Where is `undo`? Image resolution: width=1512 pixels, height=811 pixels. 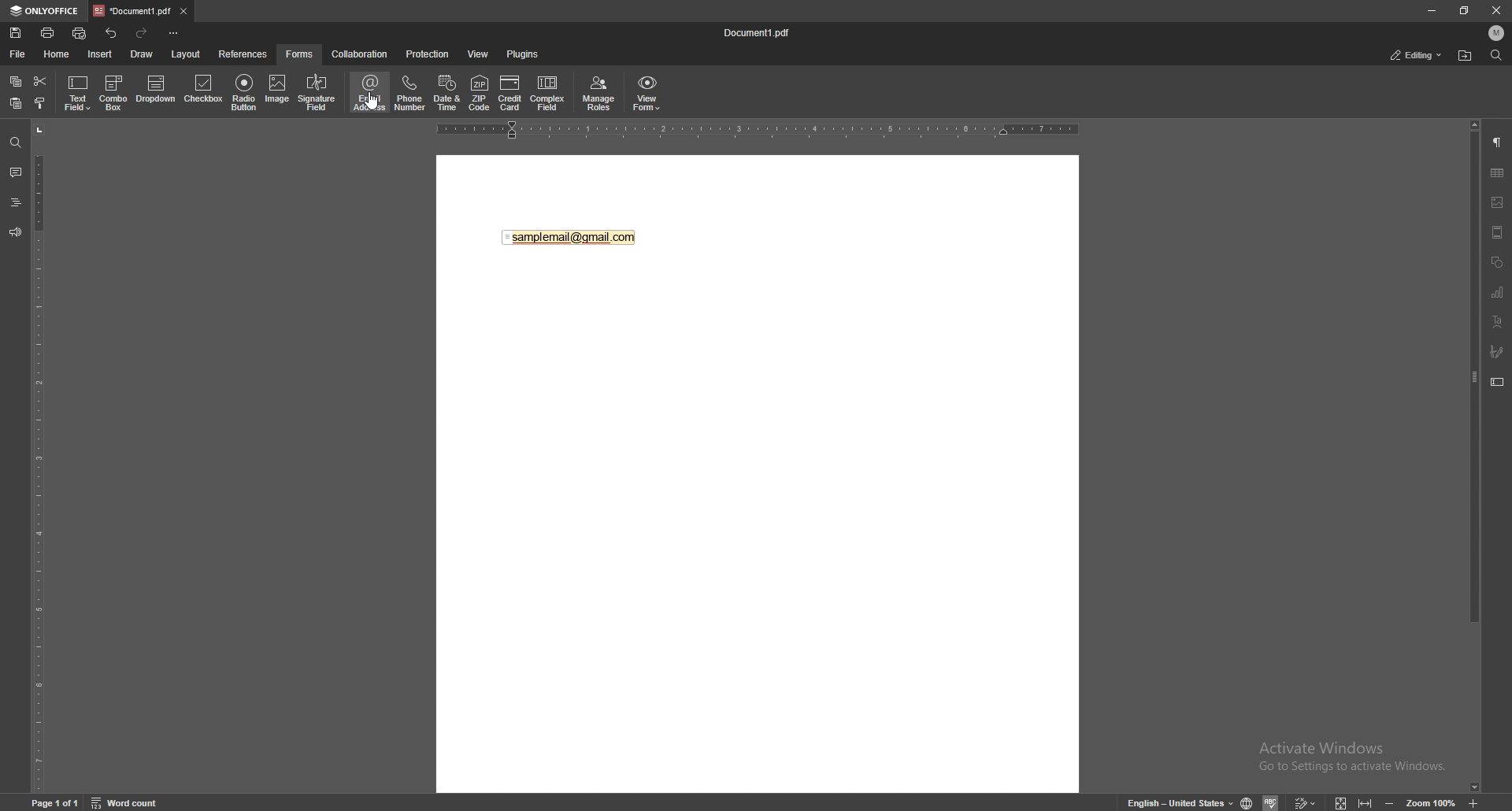 undo is located at coordinates (112, 34).